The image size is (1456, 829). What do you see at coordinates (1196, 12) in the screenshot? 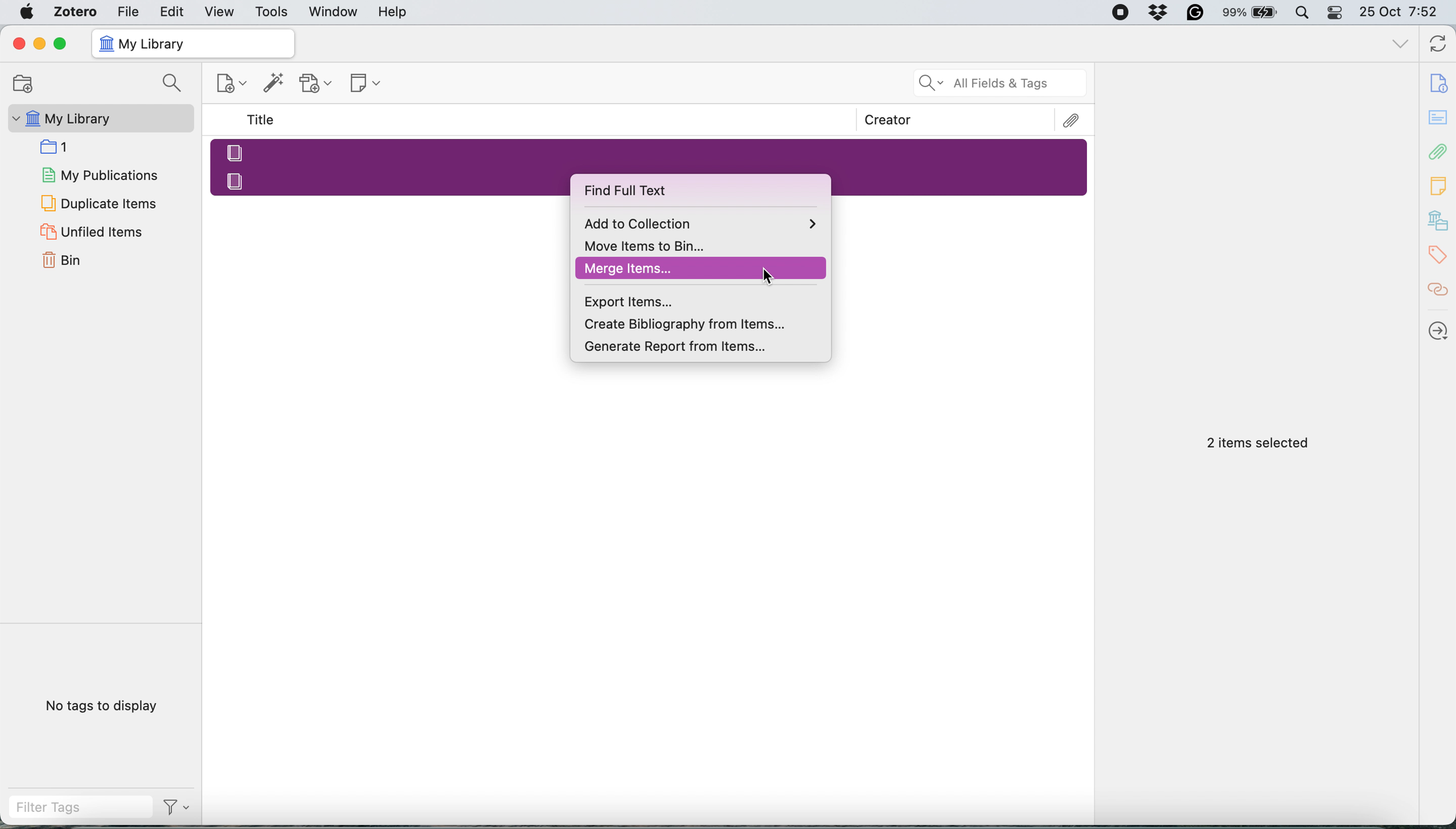
I see `Grammarly` at bounding box center [1196, 12].